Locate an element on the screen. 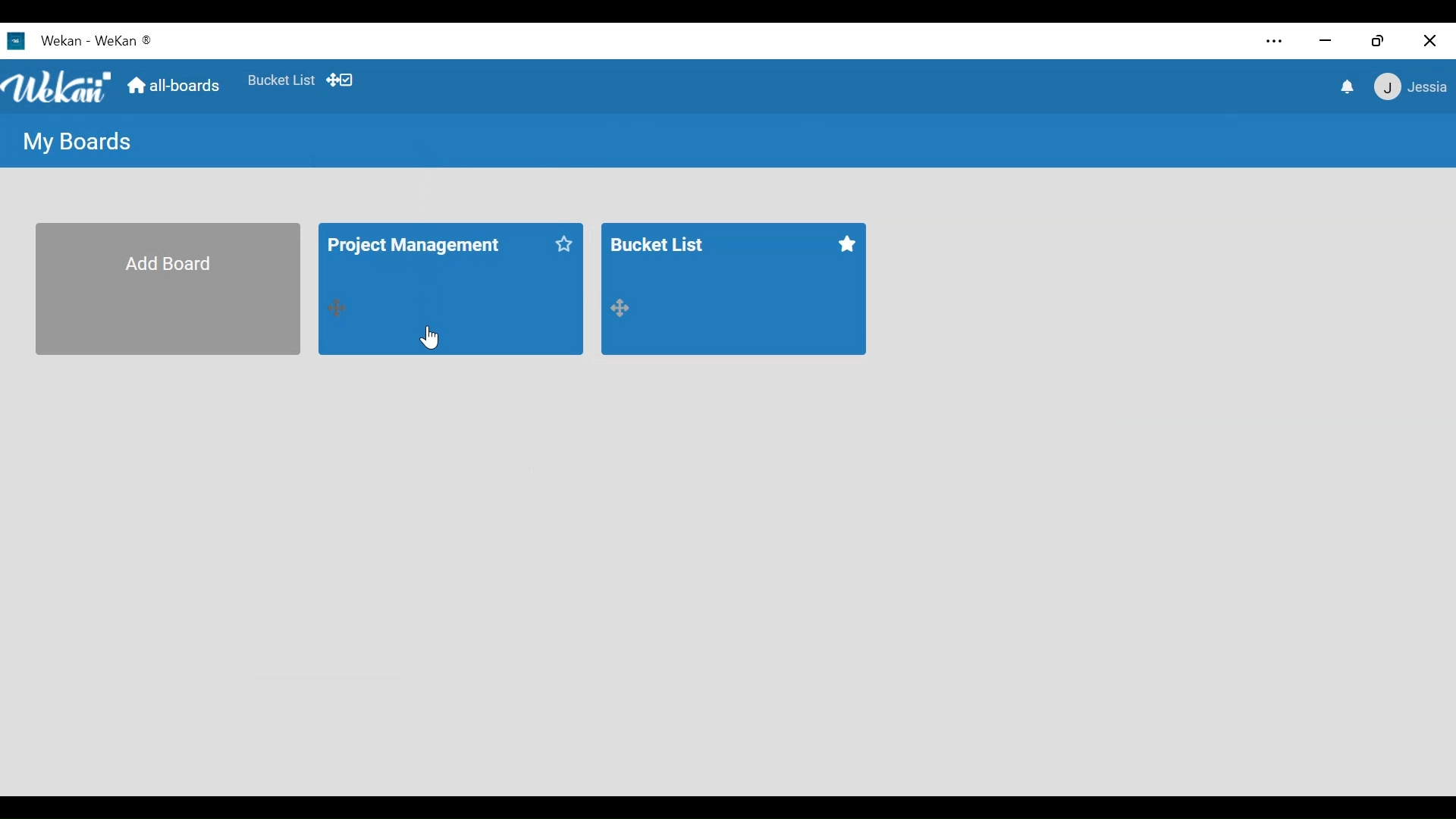 This screenshot has height=819, width=1456. User Member is located at coordinates (1411, 86).